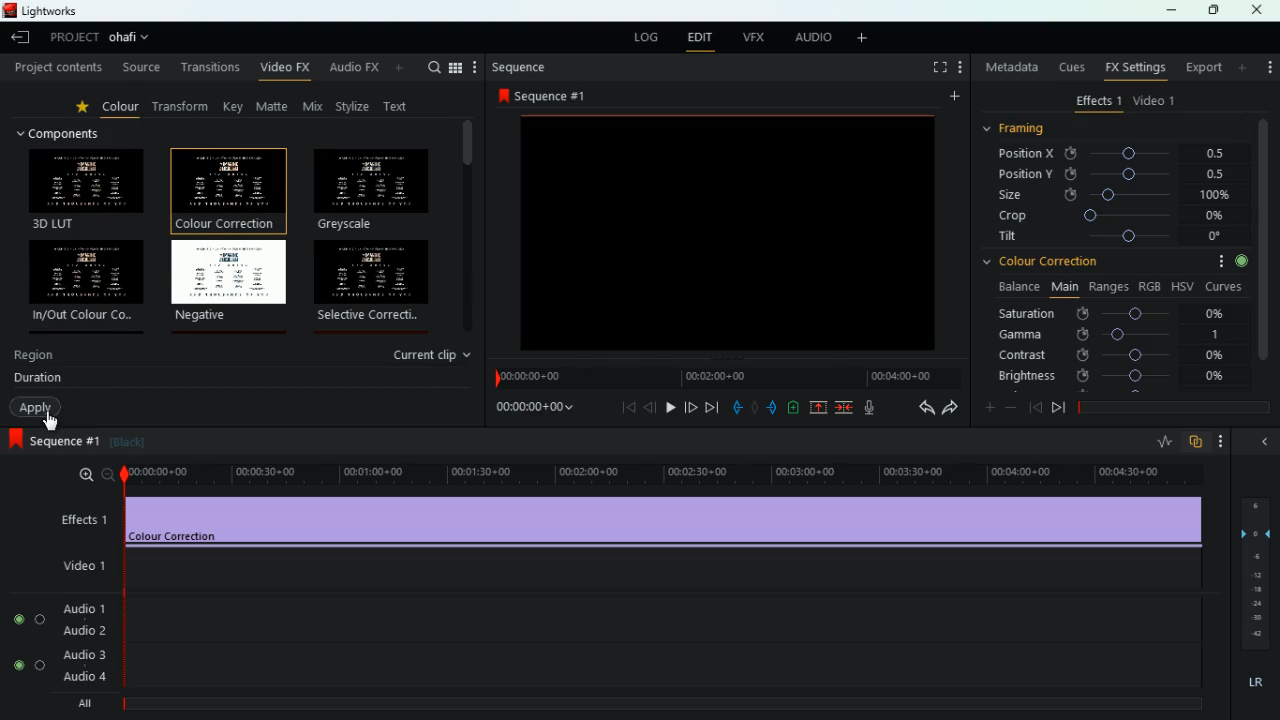 Image resolution: width=1280 pixels, height=720 pixels. I want to click on time, so click(726, 377).